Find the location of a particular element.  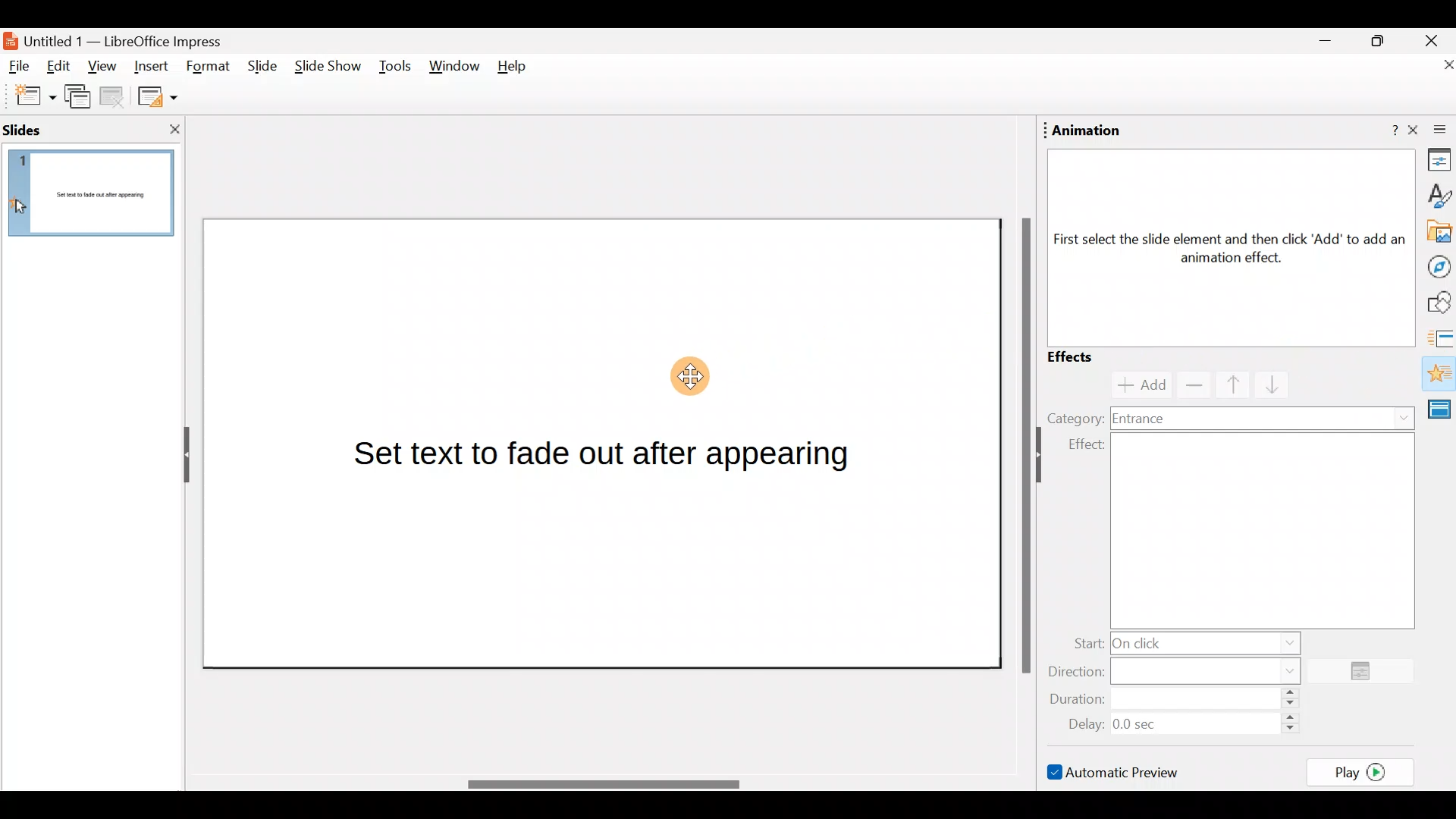

Maximise is located at coordinates (1383, 41).